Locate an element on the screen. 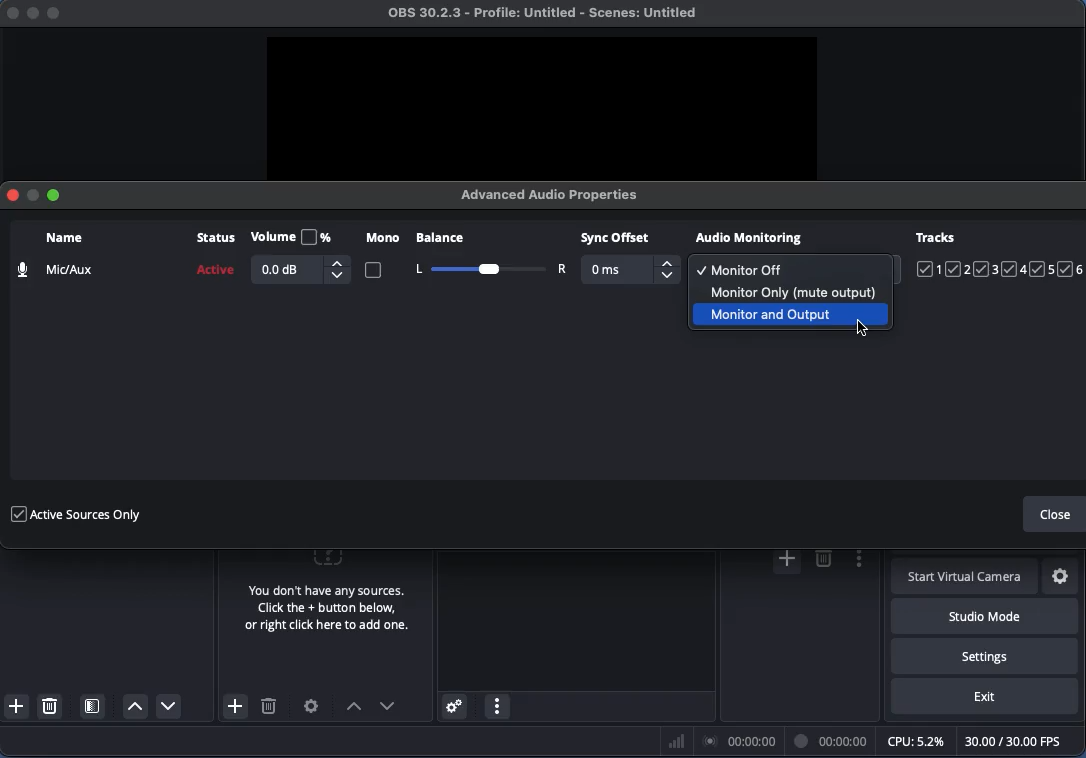  Move down is located at coordinates (388, 706).